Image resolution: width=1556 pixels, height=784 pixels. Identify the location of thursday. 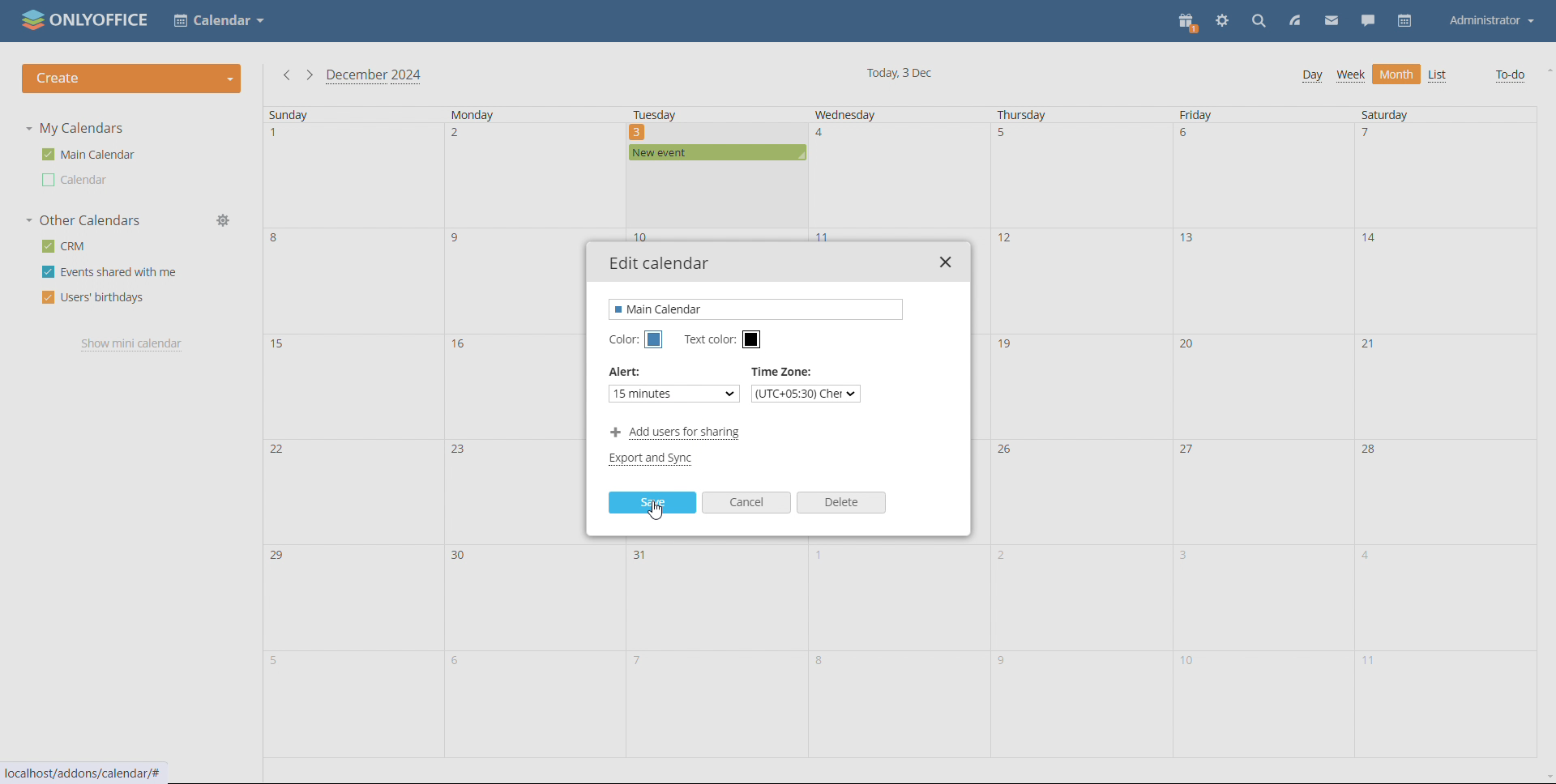
(1037, 115).